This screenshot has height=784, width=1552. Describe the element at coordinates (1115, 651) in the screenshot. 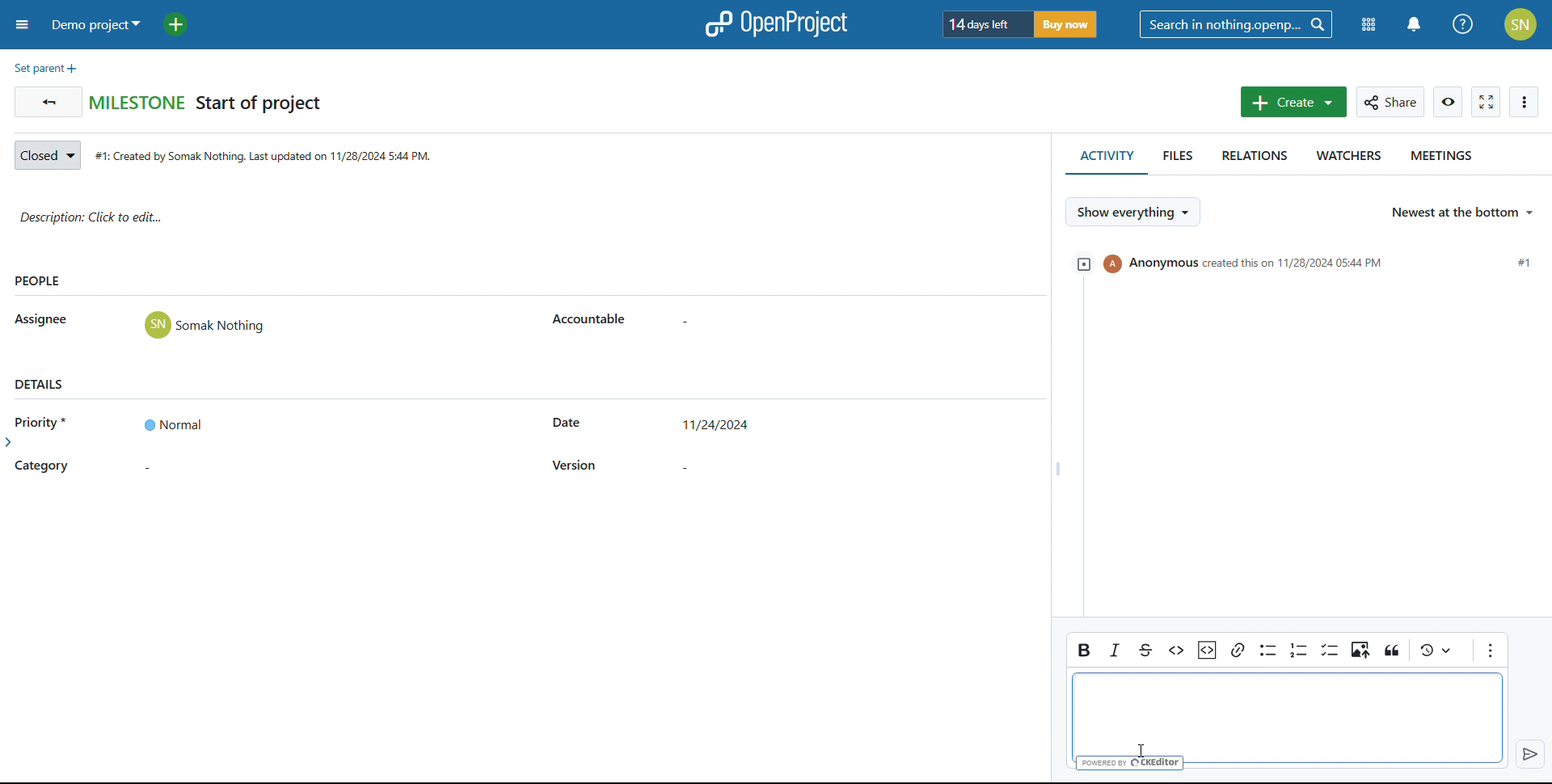

I see `italic` at that location.